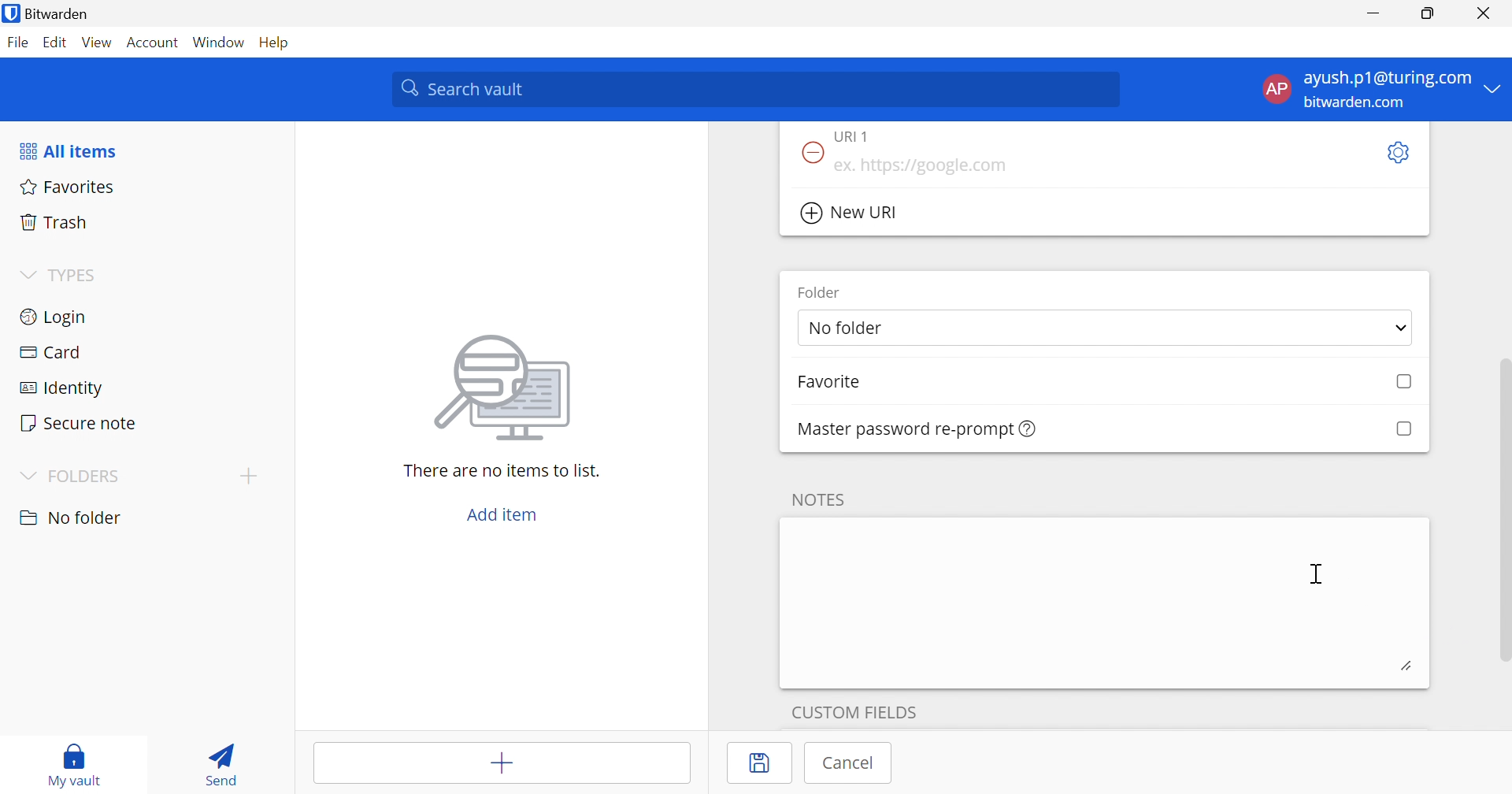 This screenshot has width=1512, height=794. Describe the element at coordinates (502, 514) in the screenshot. I see `Add item` at that location.